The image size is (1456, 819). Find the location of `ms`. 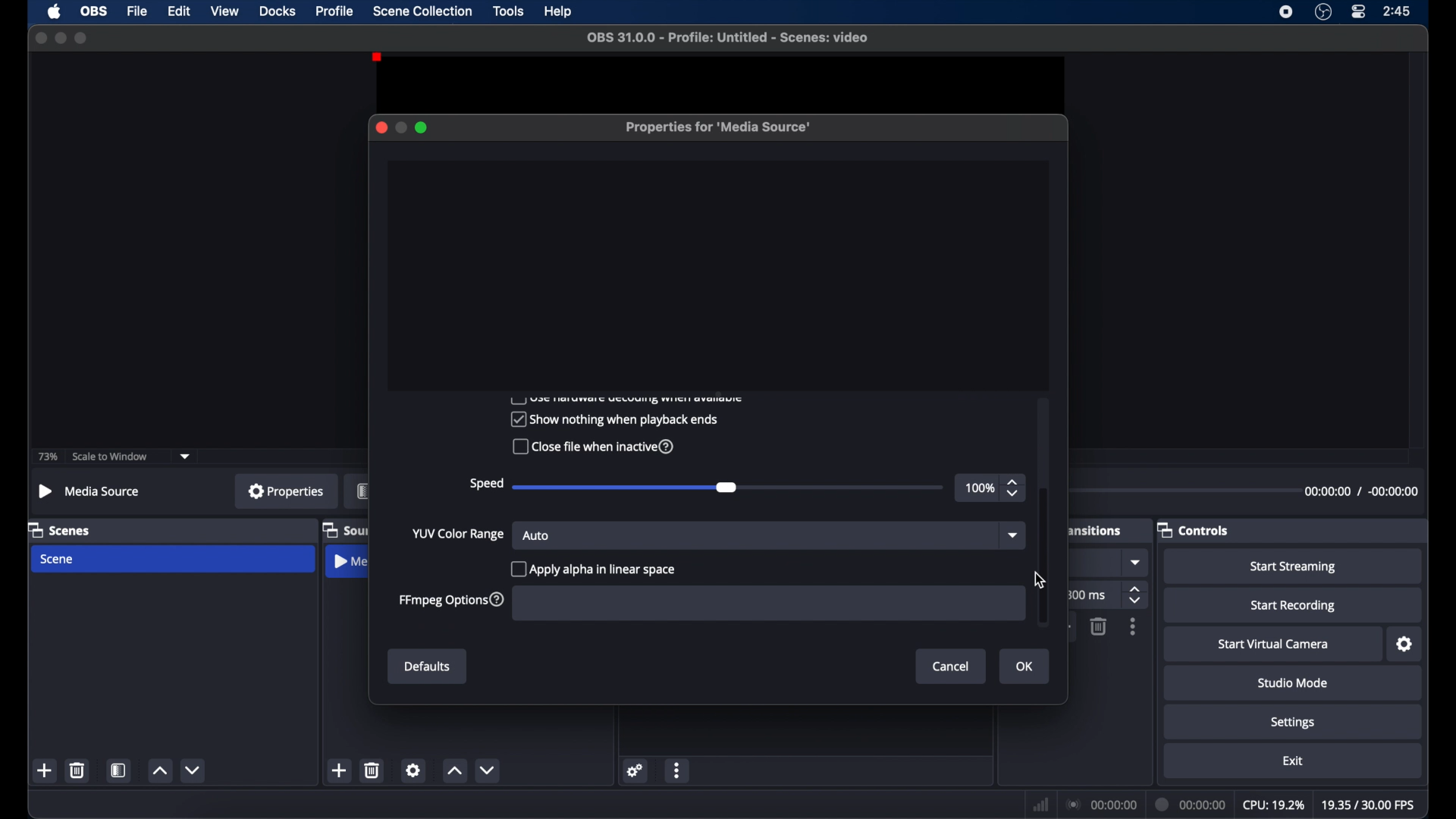

ms is located at coordinates (1091, 595).